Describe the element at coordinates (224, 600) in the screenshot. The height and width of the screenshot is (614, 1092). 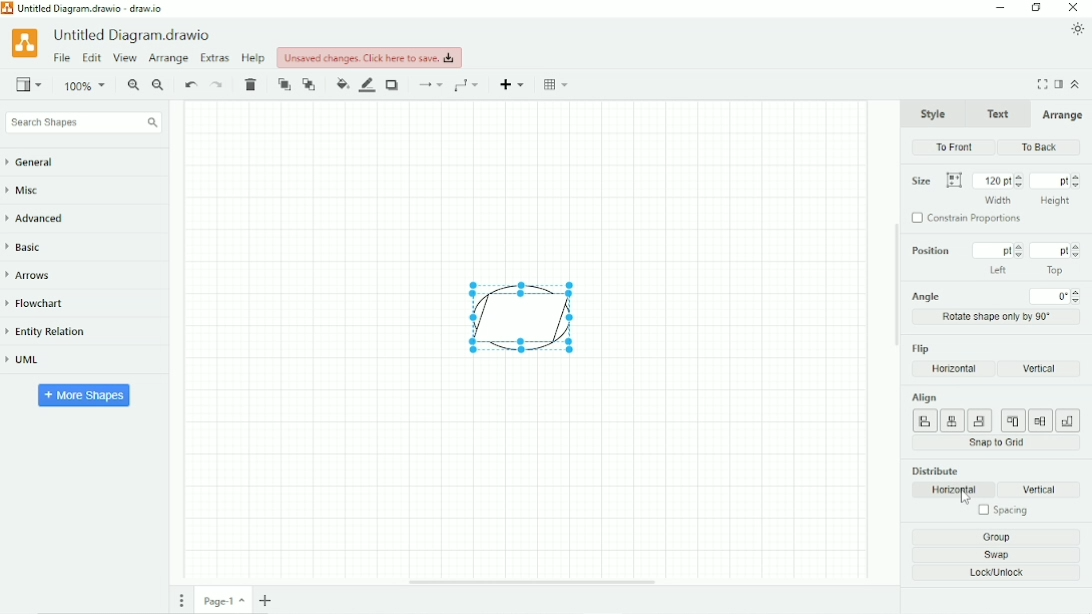
I see `Current page` at that location.